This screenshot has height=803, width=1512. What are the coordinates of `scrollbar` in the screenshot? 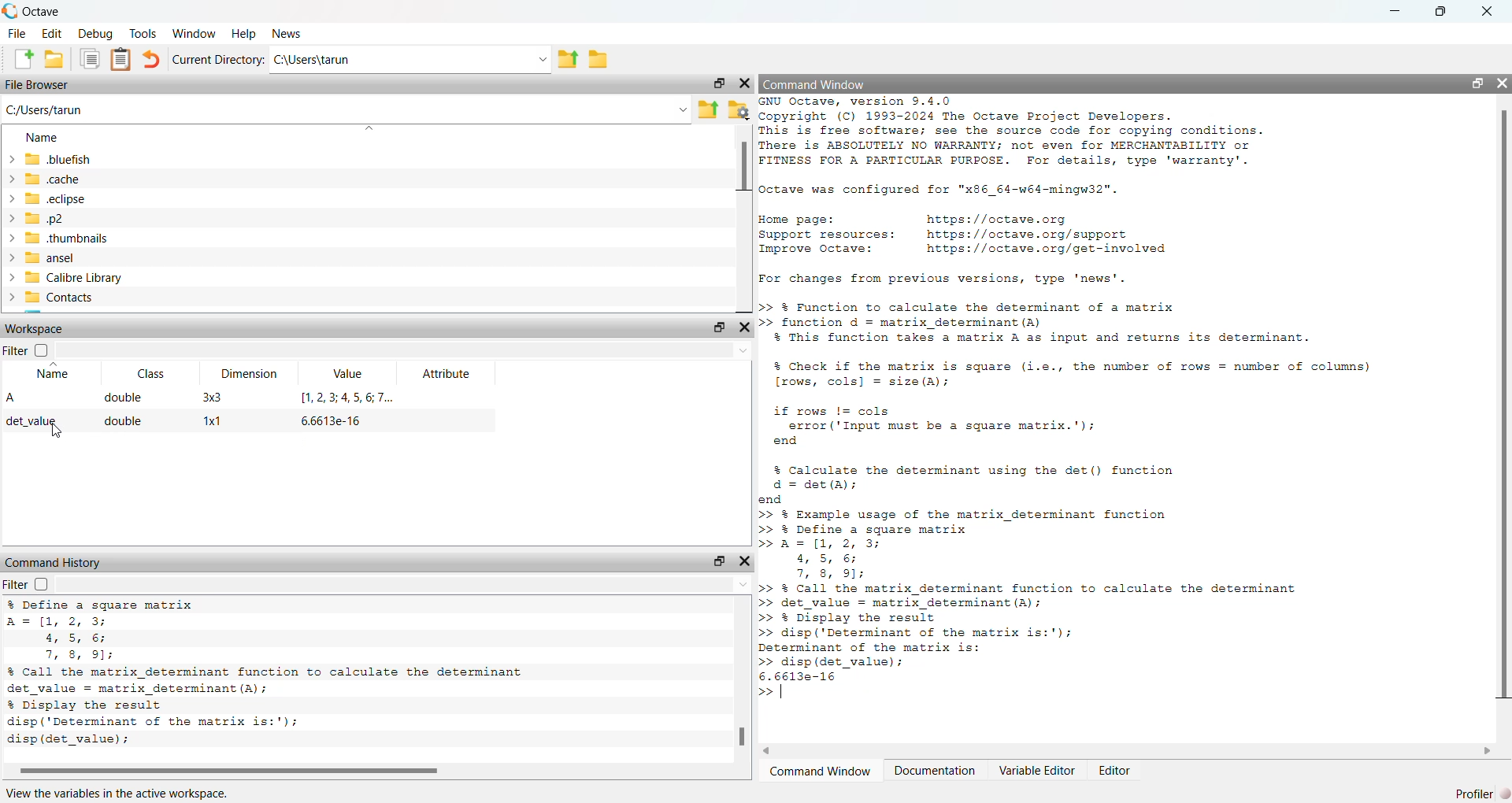 It's located at (1128, 750).